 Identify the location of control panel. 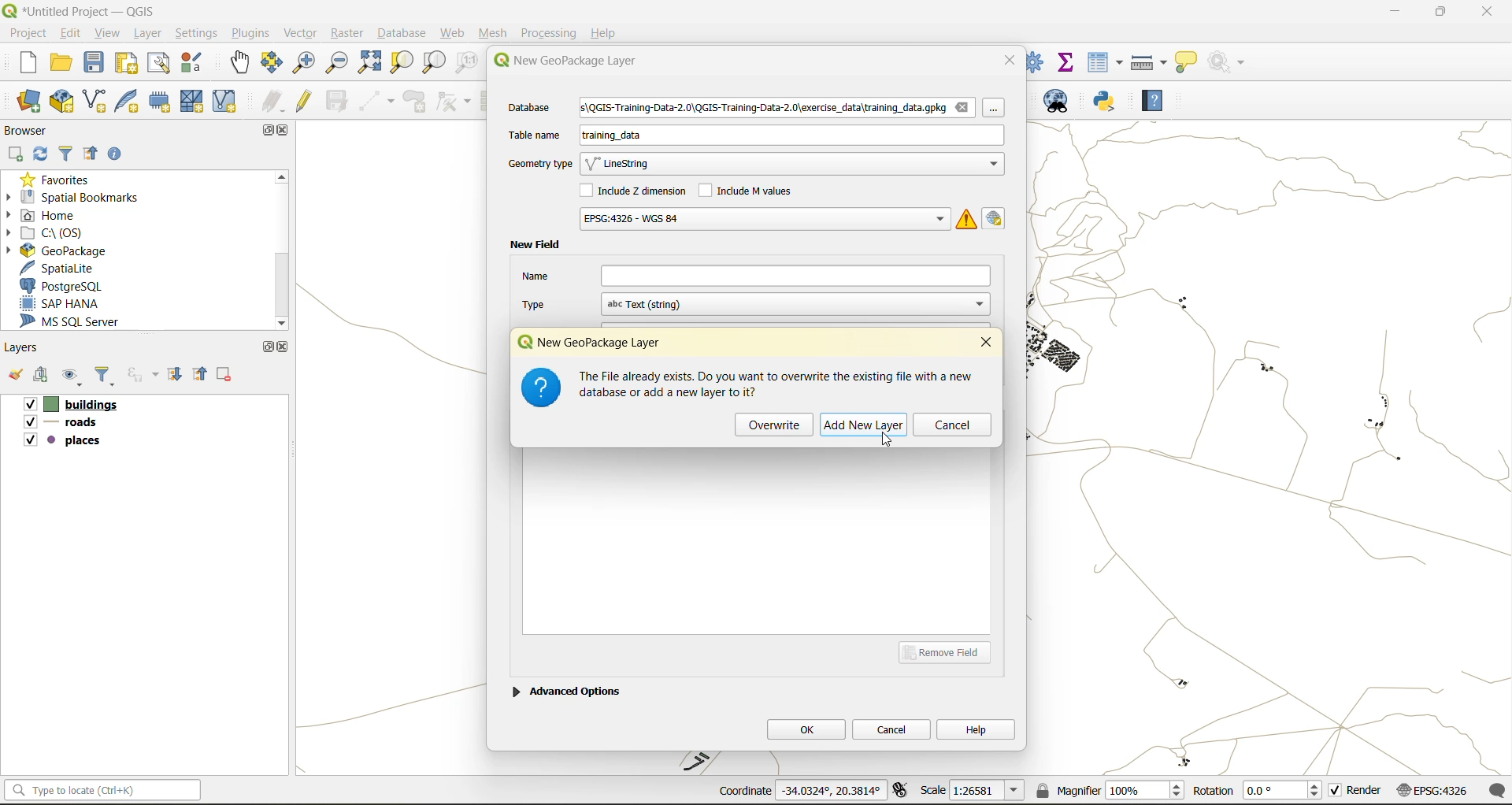
(1036, 61).